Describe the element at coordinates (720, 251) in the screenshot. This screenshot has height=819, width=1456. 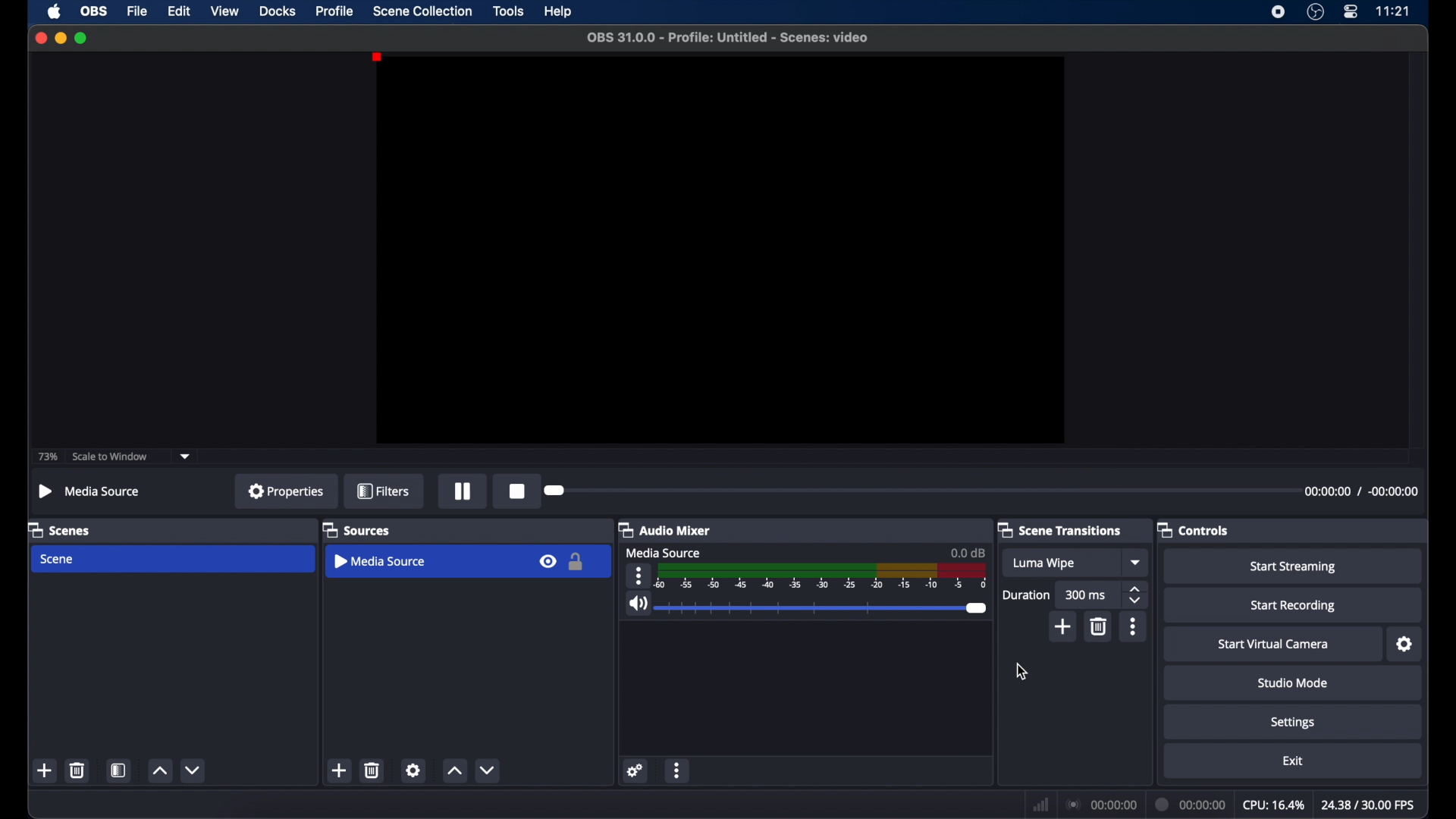
I see `preview` at that location.